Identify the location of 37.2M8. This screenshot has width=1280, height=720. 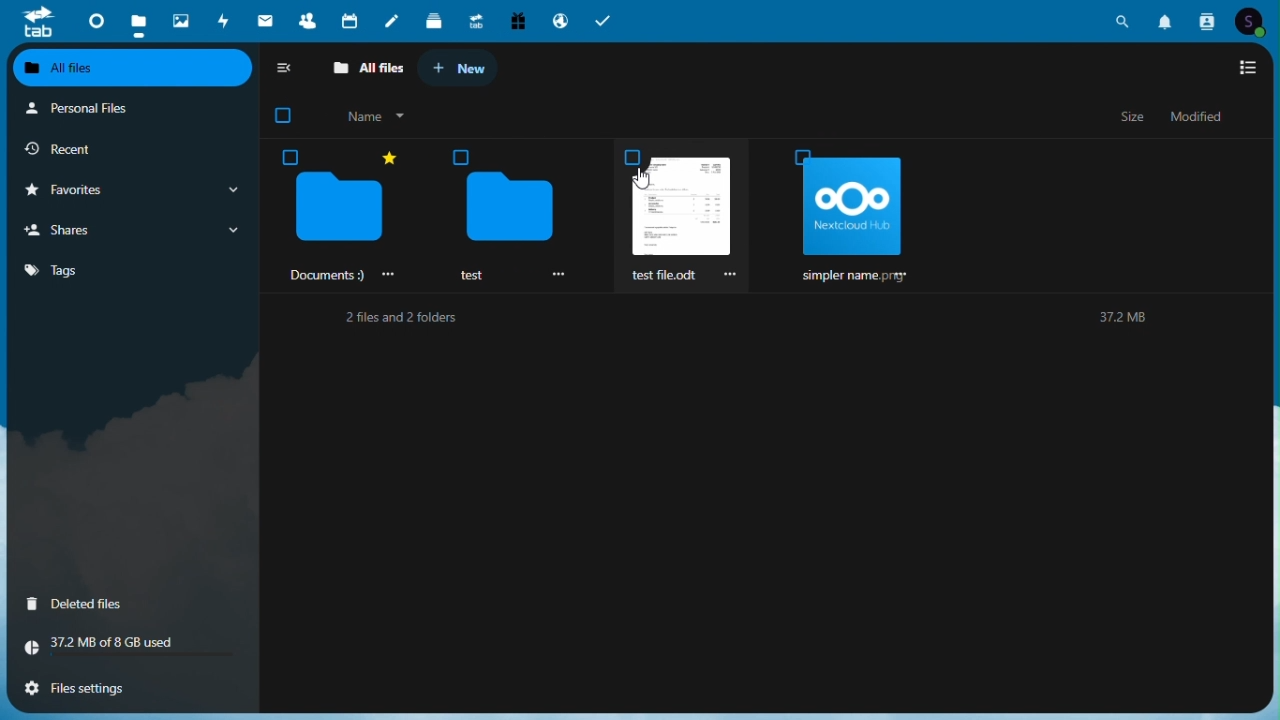
(1123, 315).